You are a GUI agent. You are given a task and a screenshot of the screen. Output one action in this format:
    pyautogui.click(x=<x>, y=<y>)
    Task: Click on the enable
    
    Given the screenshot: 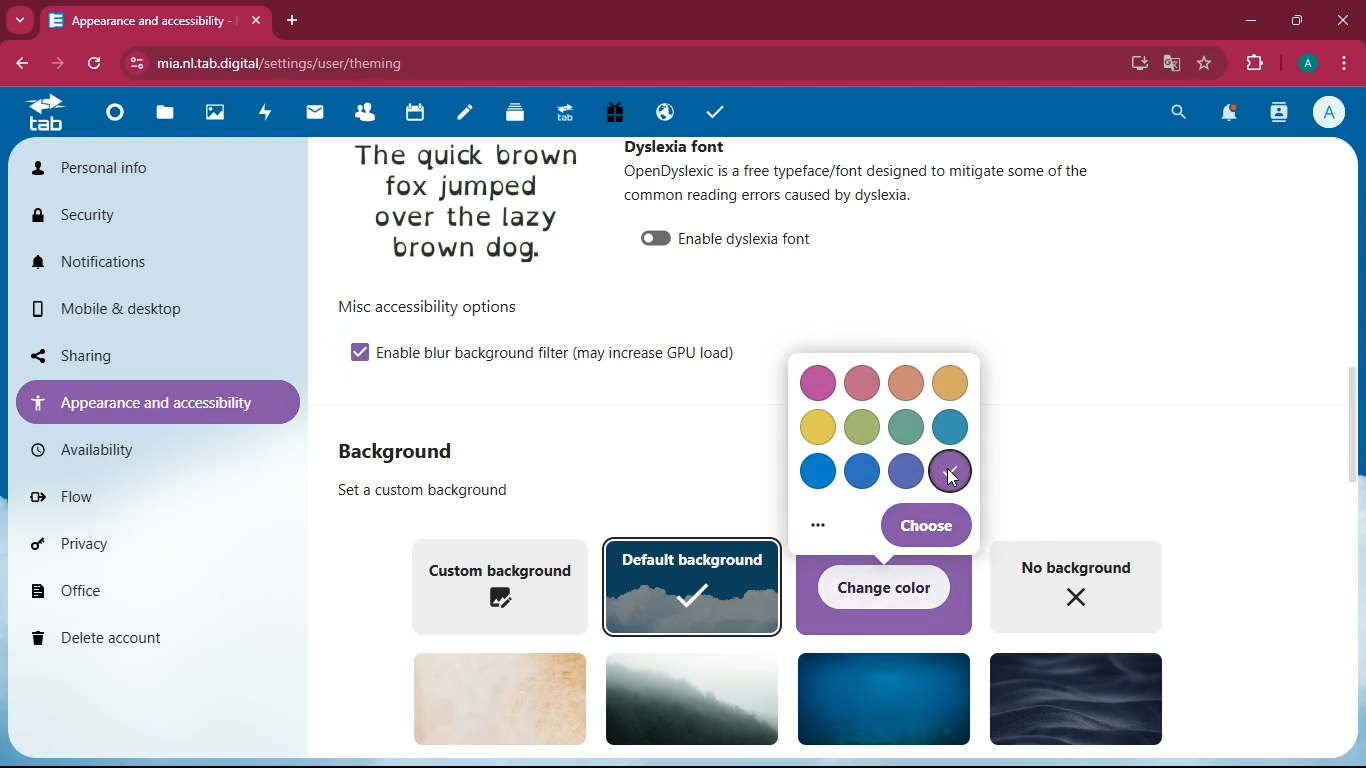 What is the action you would take?
    pyautogui.click(x=654, y=239)
    